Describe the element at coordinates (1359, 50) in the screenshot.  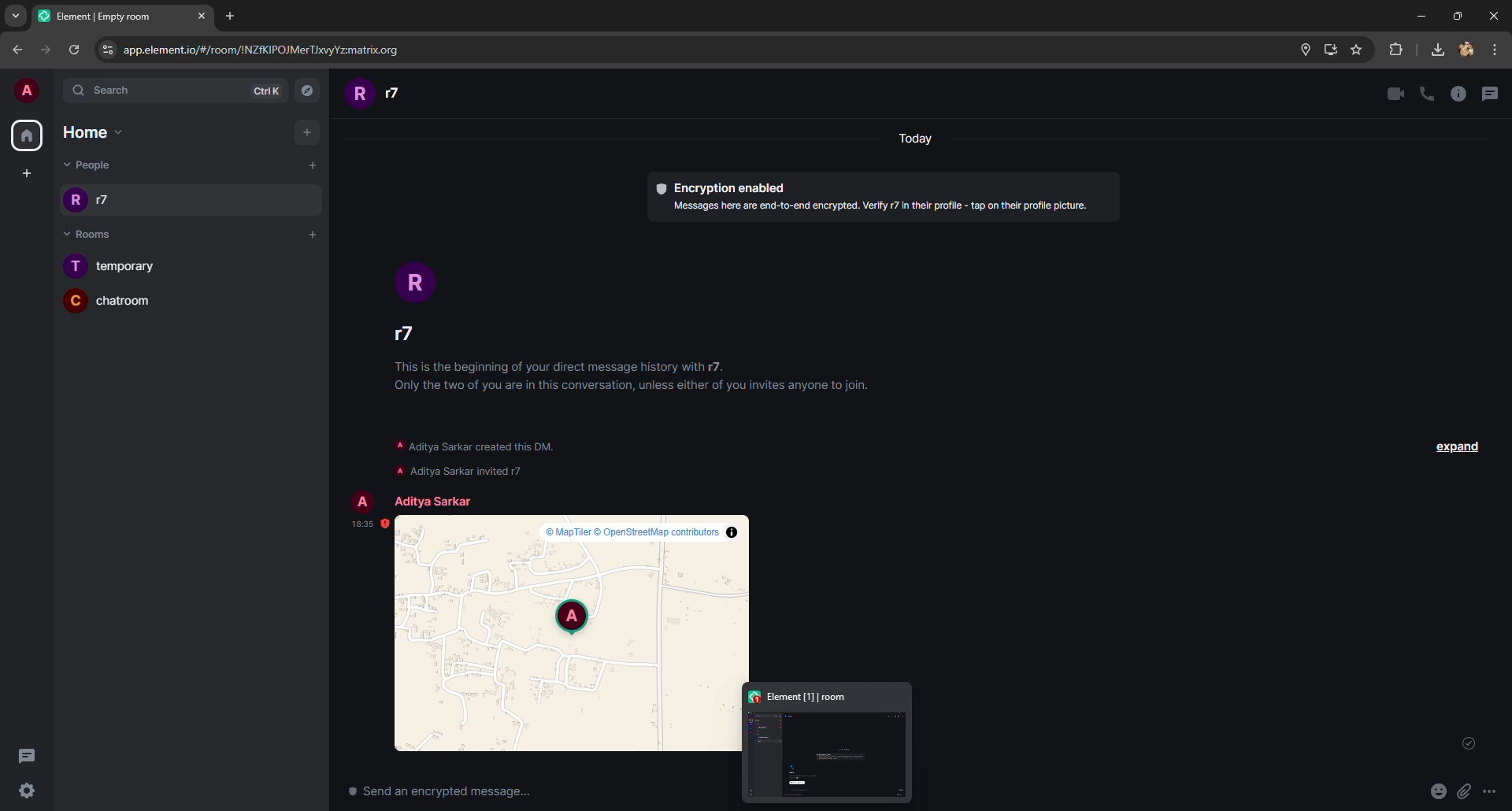
I see `favorites` at that location.